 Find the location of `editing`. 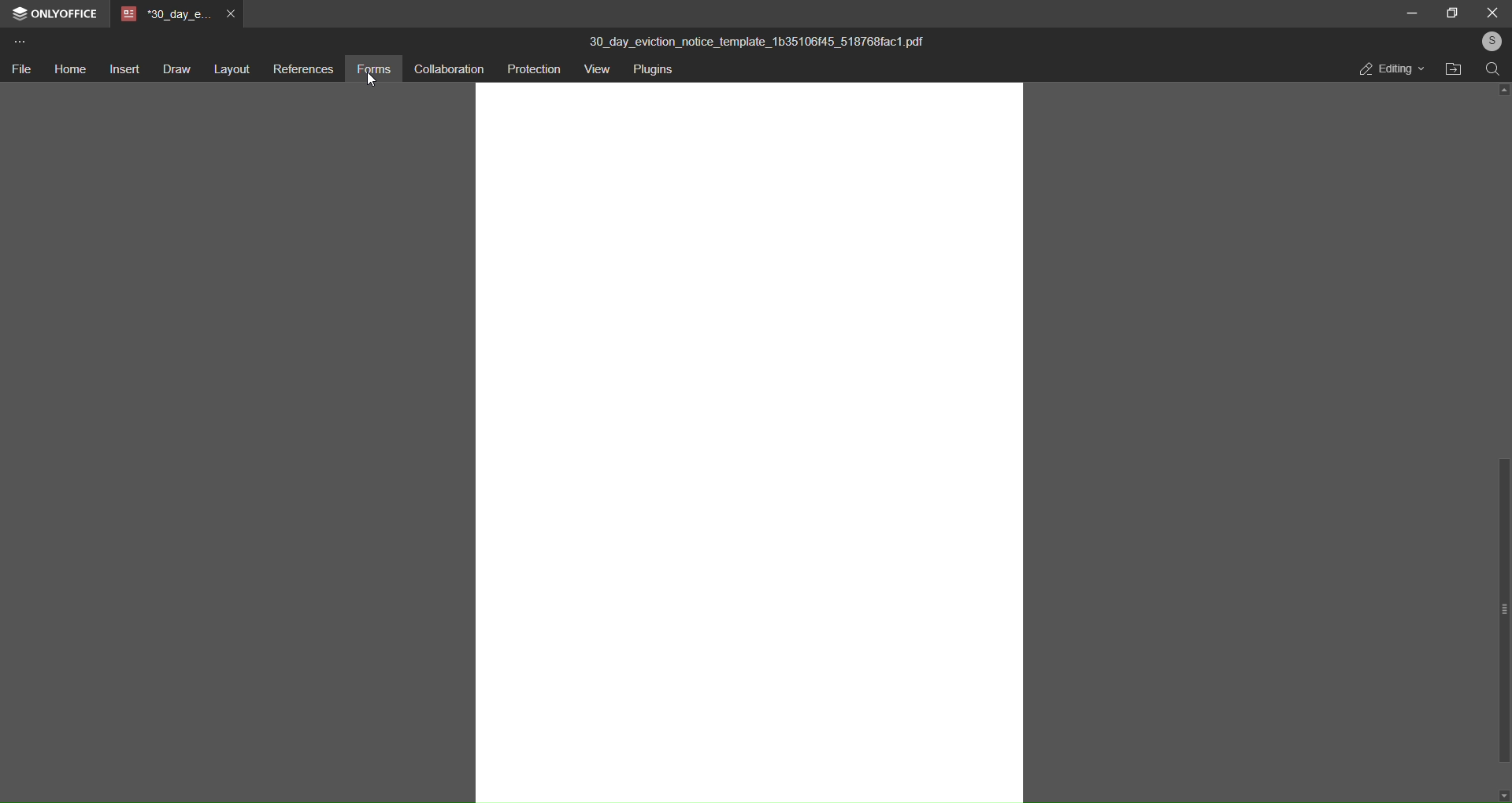

editing is located at coordinates (1384, 70).